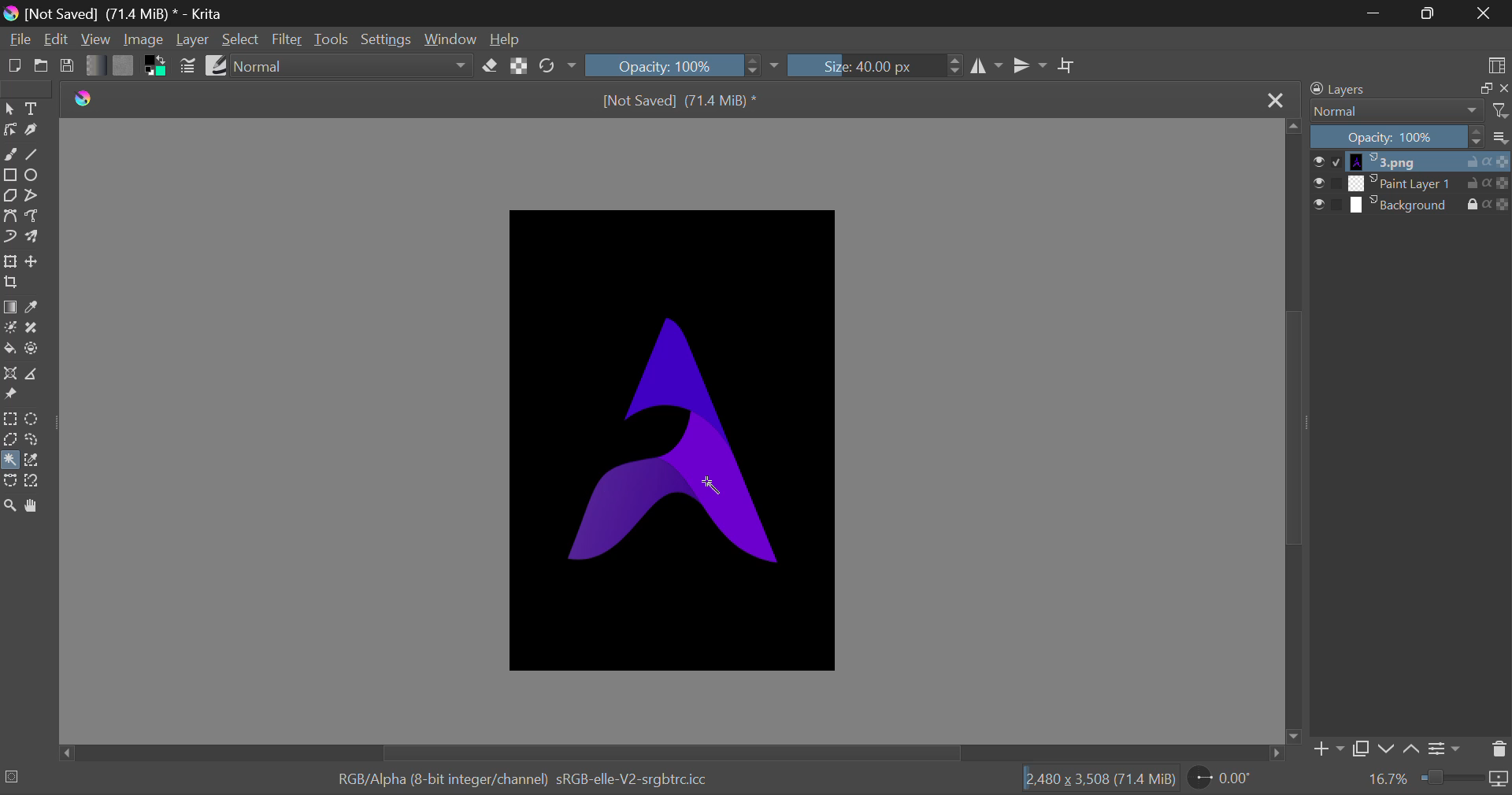 This screenshot has width=1512, height=795. What do you see at coordinates (524, 780) in the screenshot?
I see `RGB/Alpha (8-bit integer/channel) sRGB-elle-V2-srgbtrcicc` at bounding box center [524, 780].